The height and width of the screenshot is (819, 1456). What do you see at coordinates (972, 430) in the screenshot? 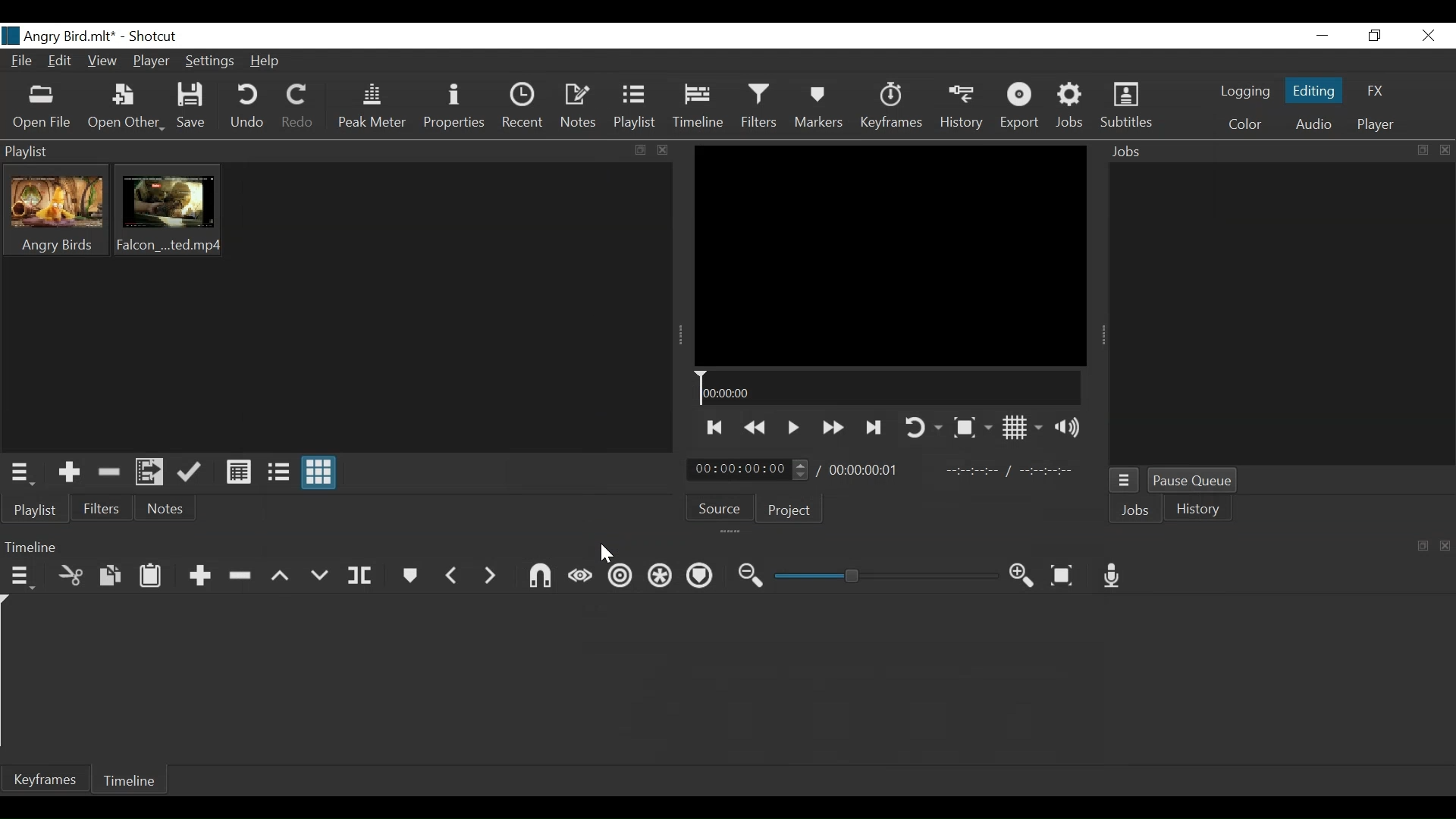
I see `Toggle Zoom` at bounding box center [972, 430].